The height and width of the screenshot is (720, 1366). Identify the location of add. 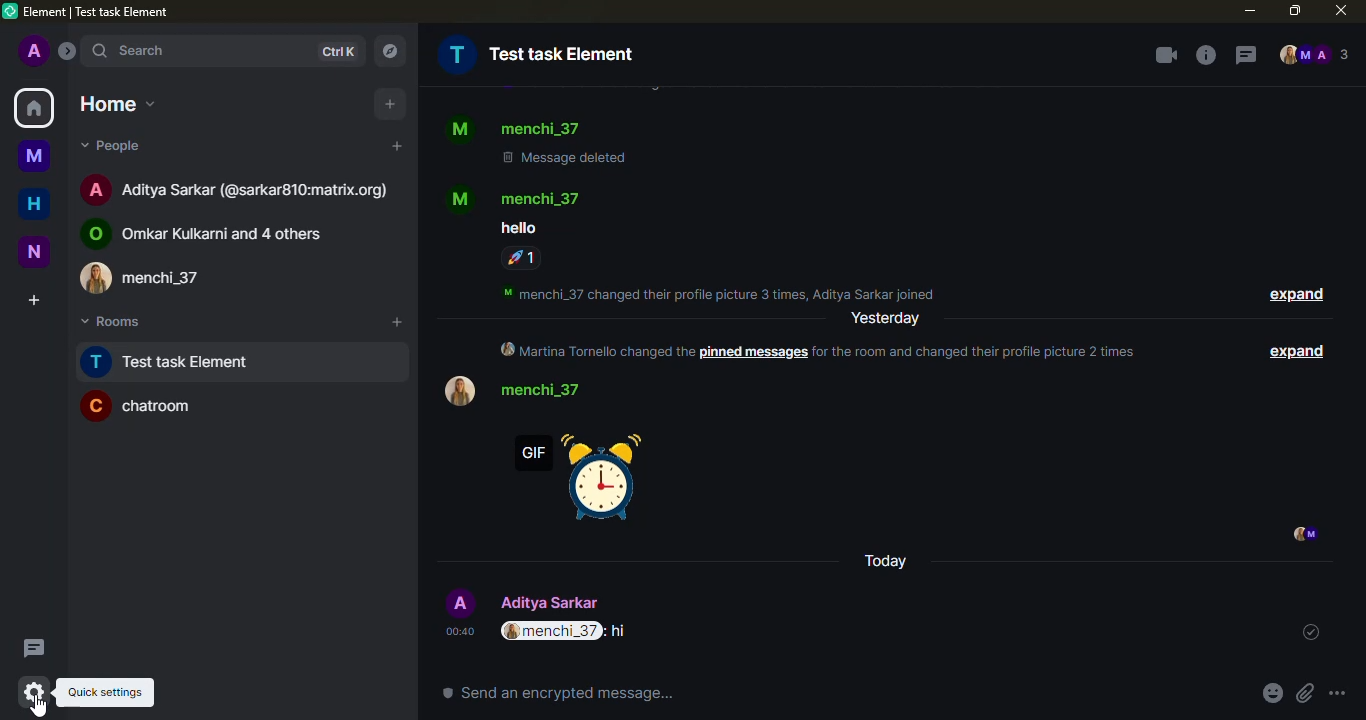
(395, 146).